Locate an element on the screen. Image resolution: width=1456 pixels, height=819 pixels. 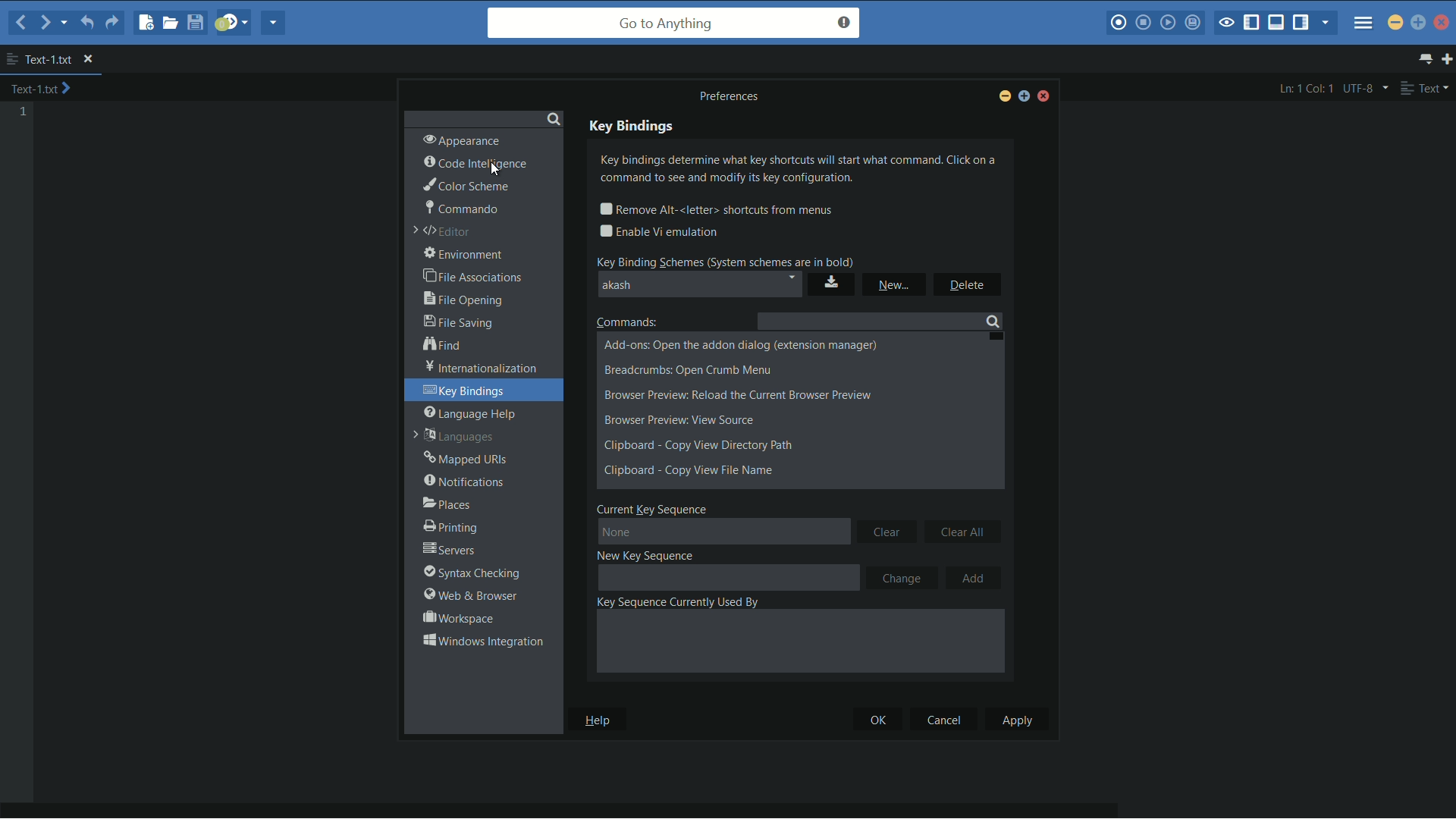
apply is located at coordinates (1018, 720).